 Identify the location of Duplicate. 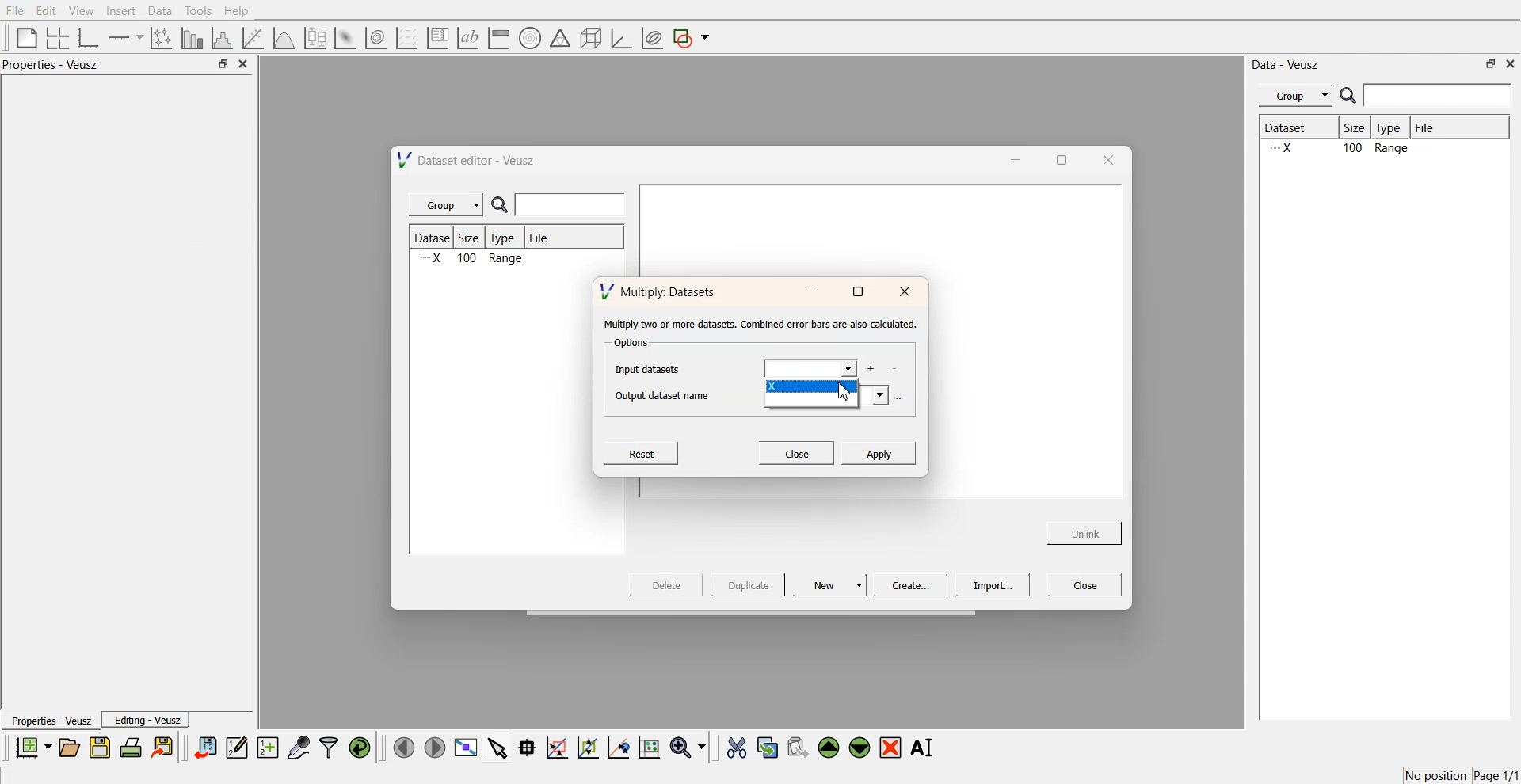
(748, 586).